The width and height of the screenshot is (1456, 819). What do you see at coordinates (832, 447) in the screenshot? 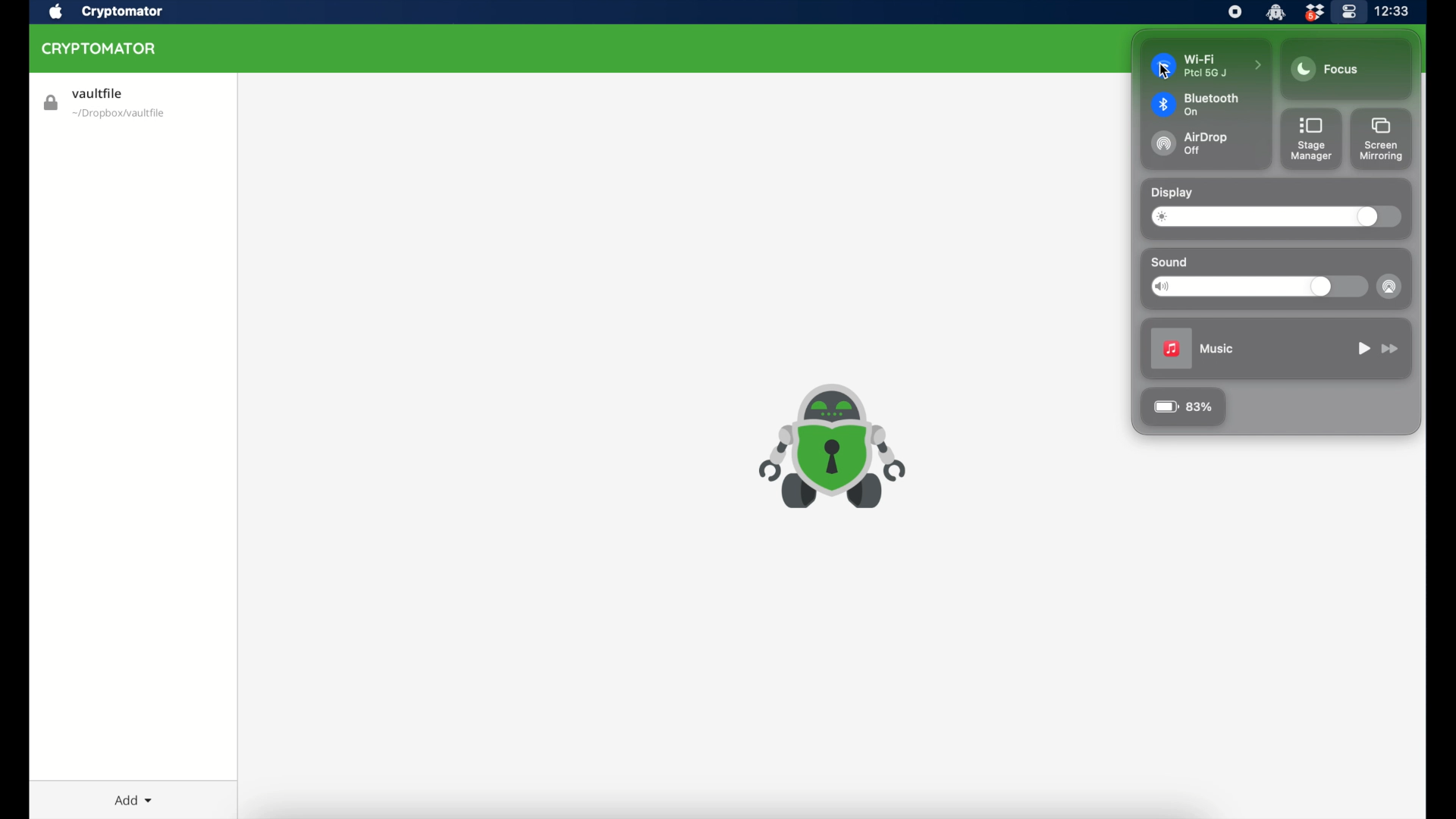
I see `cryptomator icon` at bounding box center [832, 447].